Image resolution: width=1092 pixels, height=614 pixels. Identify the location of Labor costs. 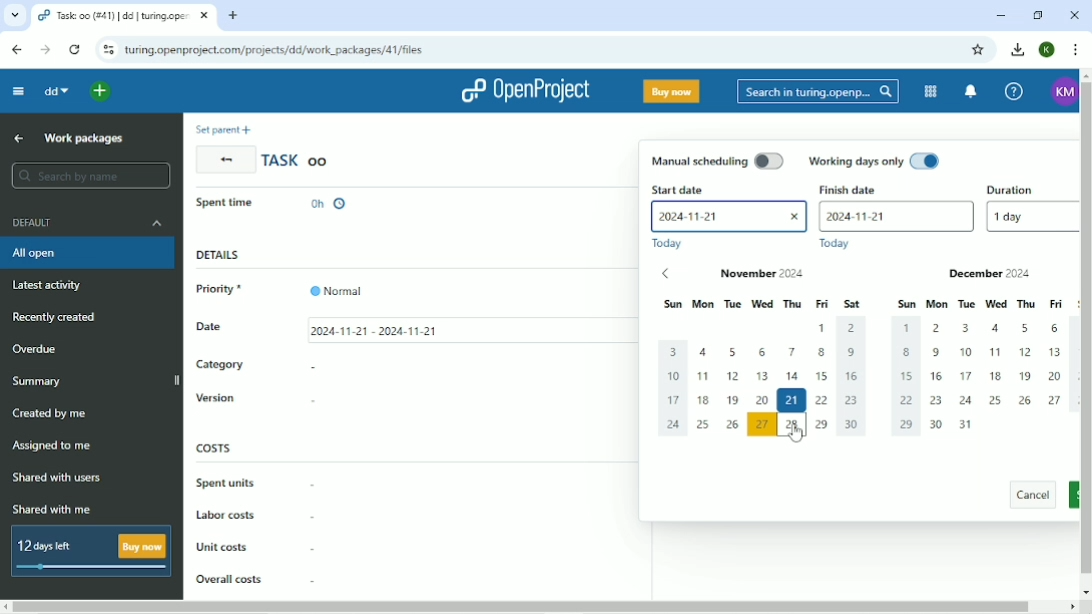
(227, 514).